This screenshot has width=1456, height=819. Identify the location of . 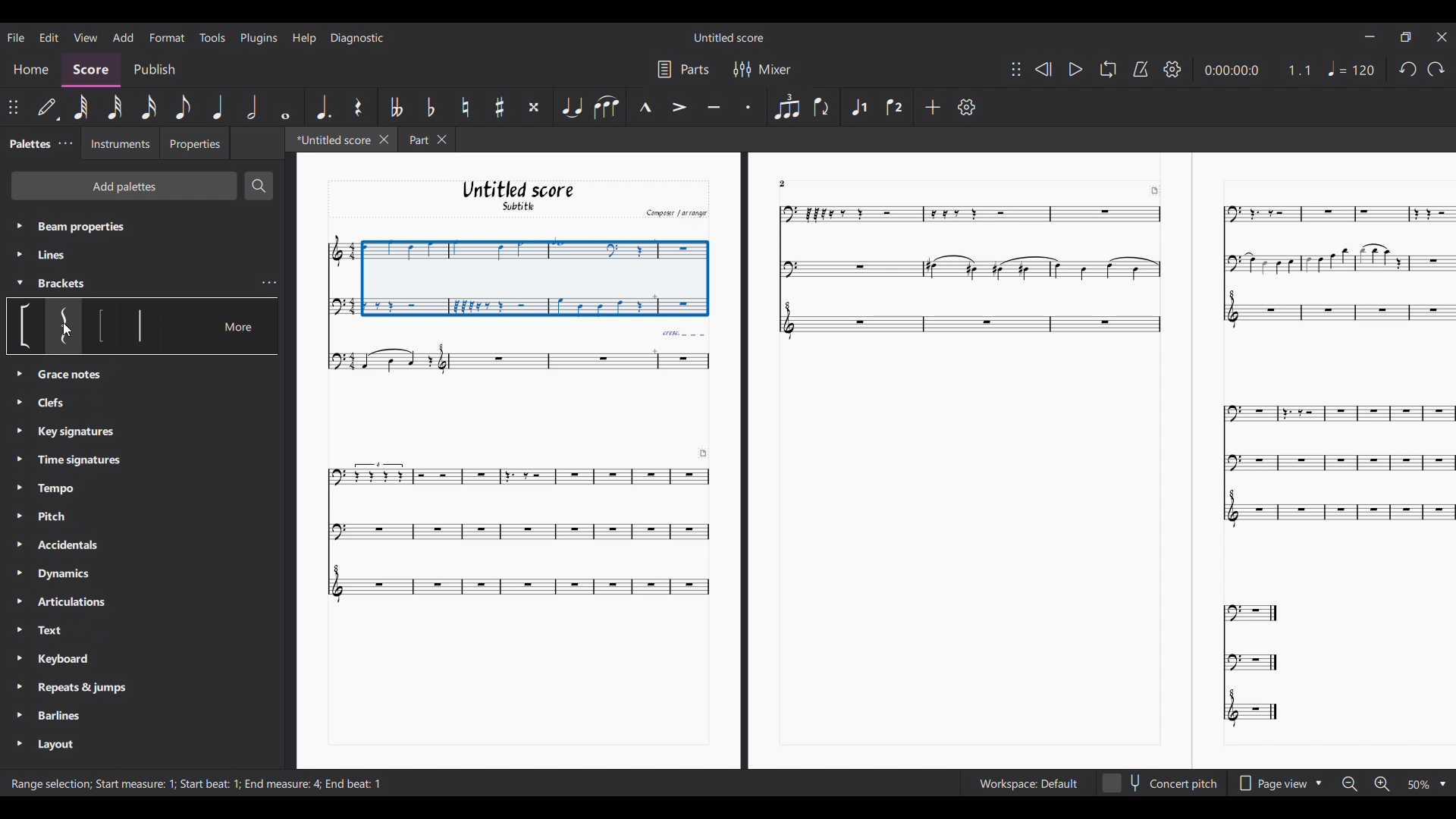
(16, 600).